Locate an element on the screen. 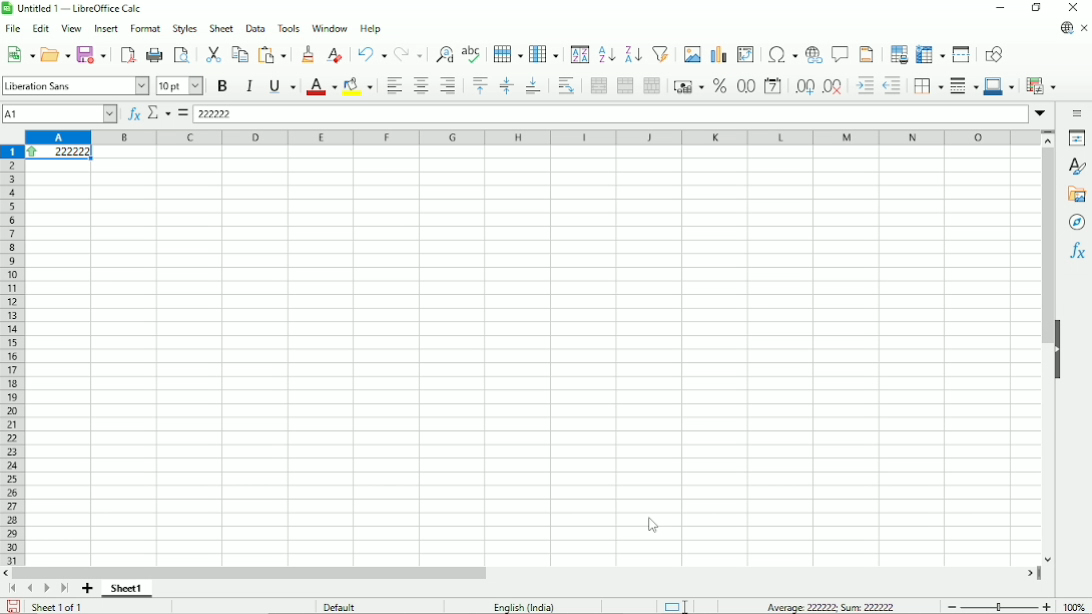 The width and height of the screenshot is (1092, 614). Border styles is located at coordinates (963, 85).